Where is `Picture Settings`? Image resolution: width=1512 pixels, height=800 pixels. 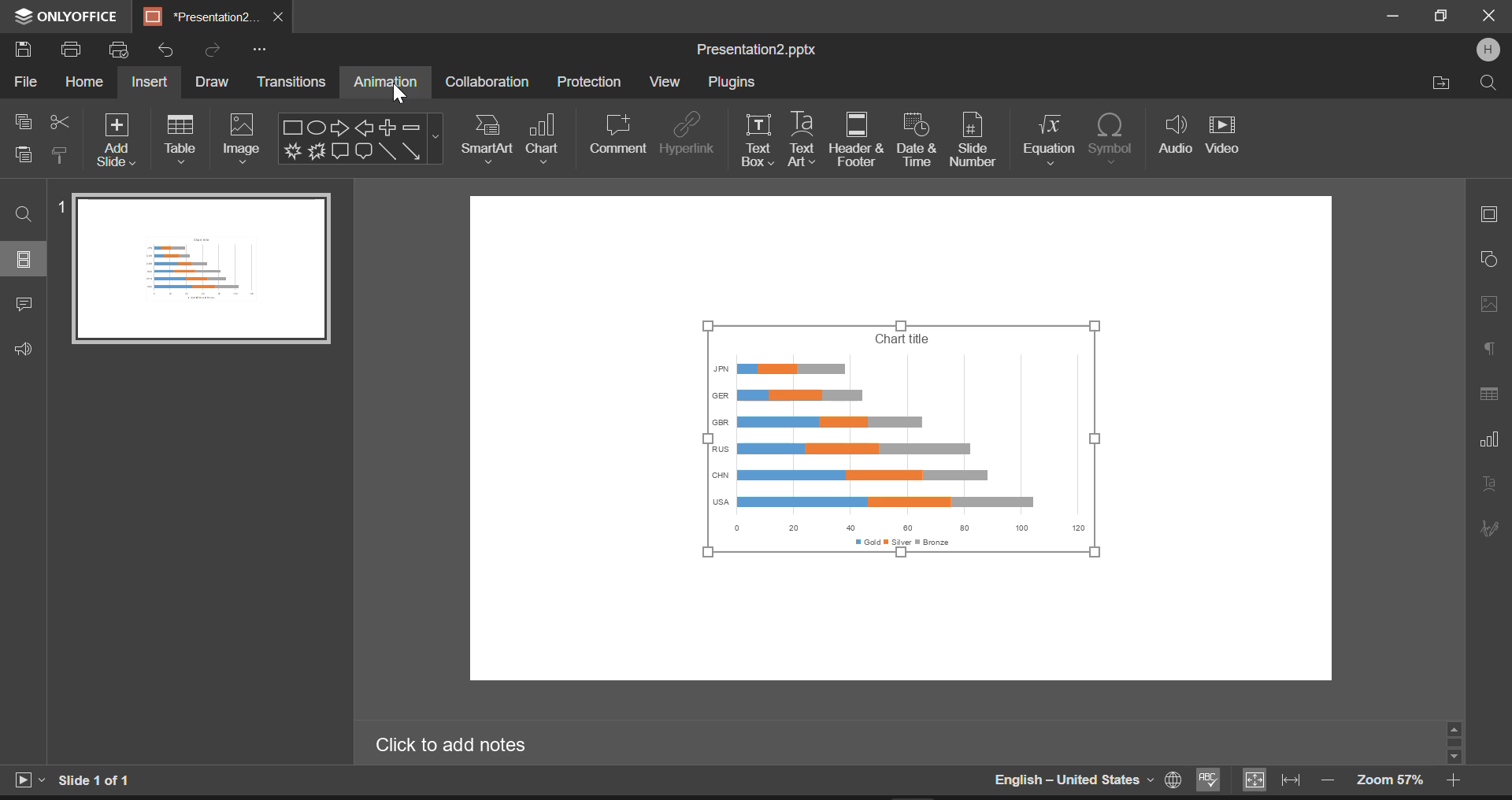 Picture Settings is located at coordinates (1485, 303).